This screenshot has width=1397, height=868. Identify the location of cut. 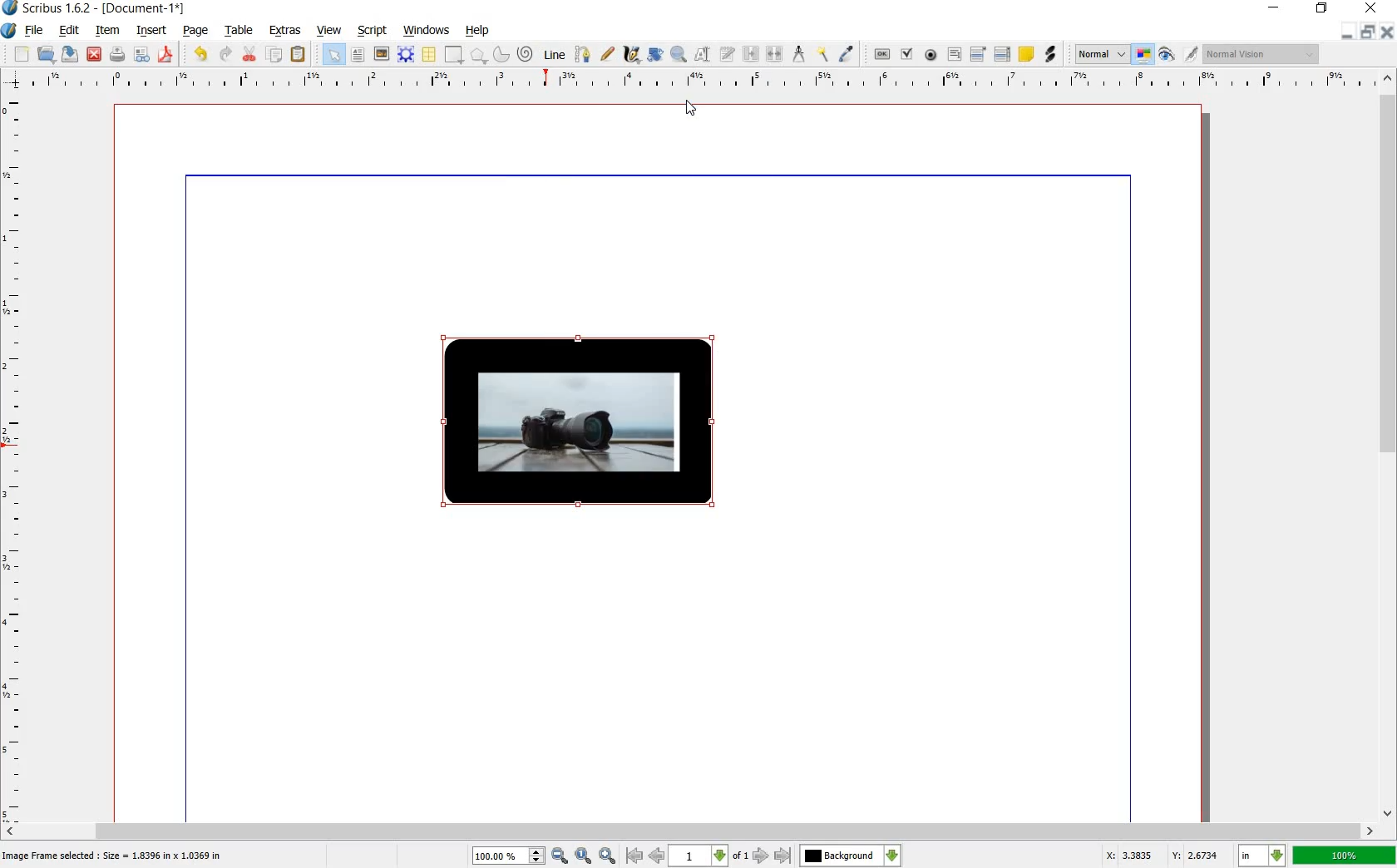
(248, 55).